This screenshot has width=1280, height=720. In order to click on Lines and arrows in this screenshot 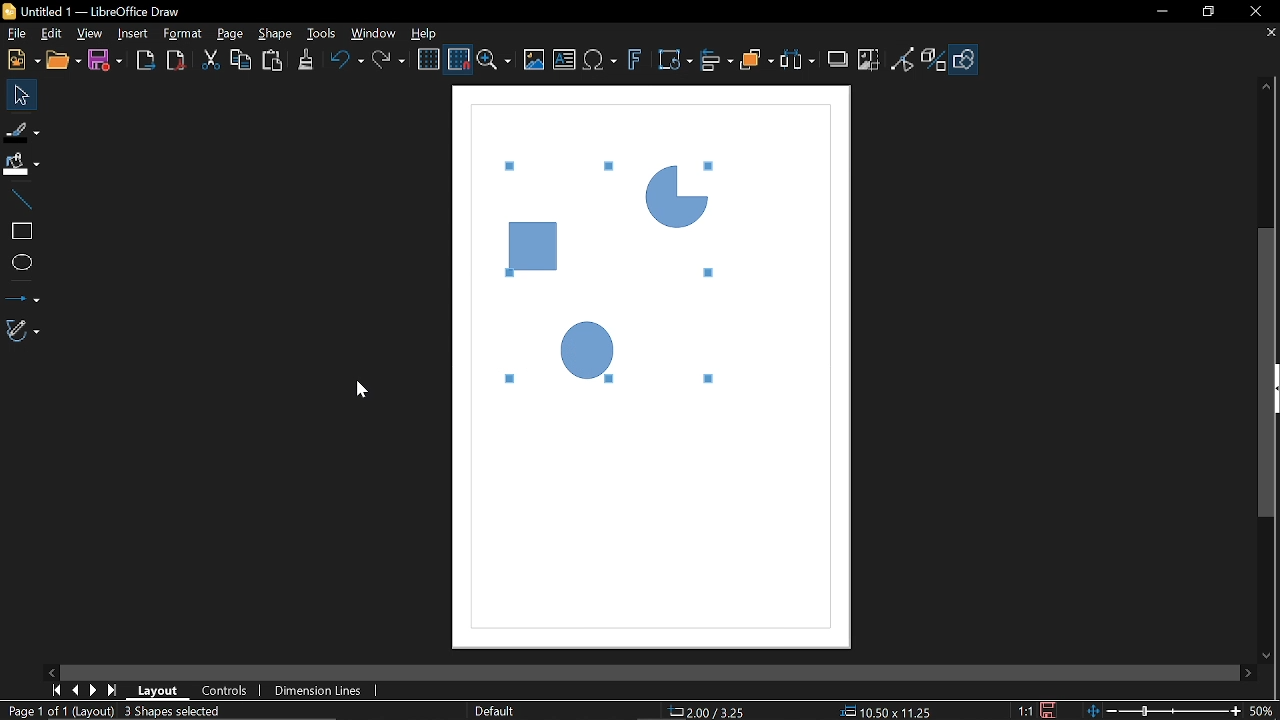, I will do `click(24, 295)`.